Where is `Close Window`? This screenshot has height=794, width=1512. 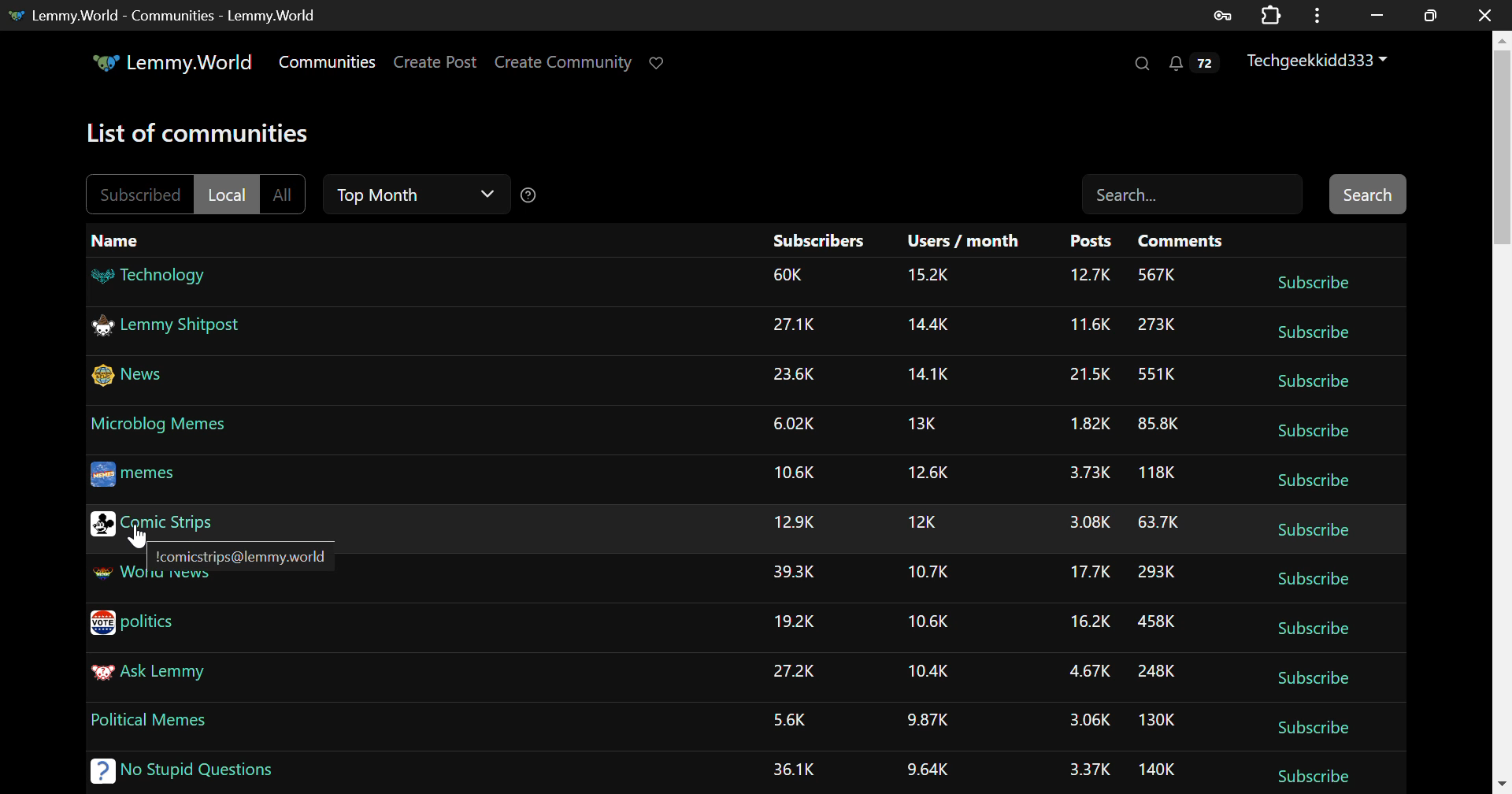 Close Window is located at coordinates (1488, 15).